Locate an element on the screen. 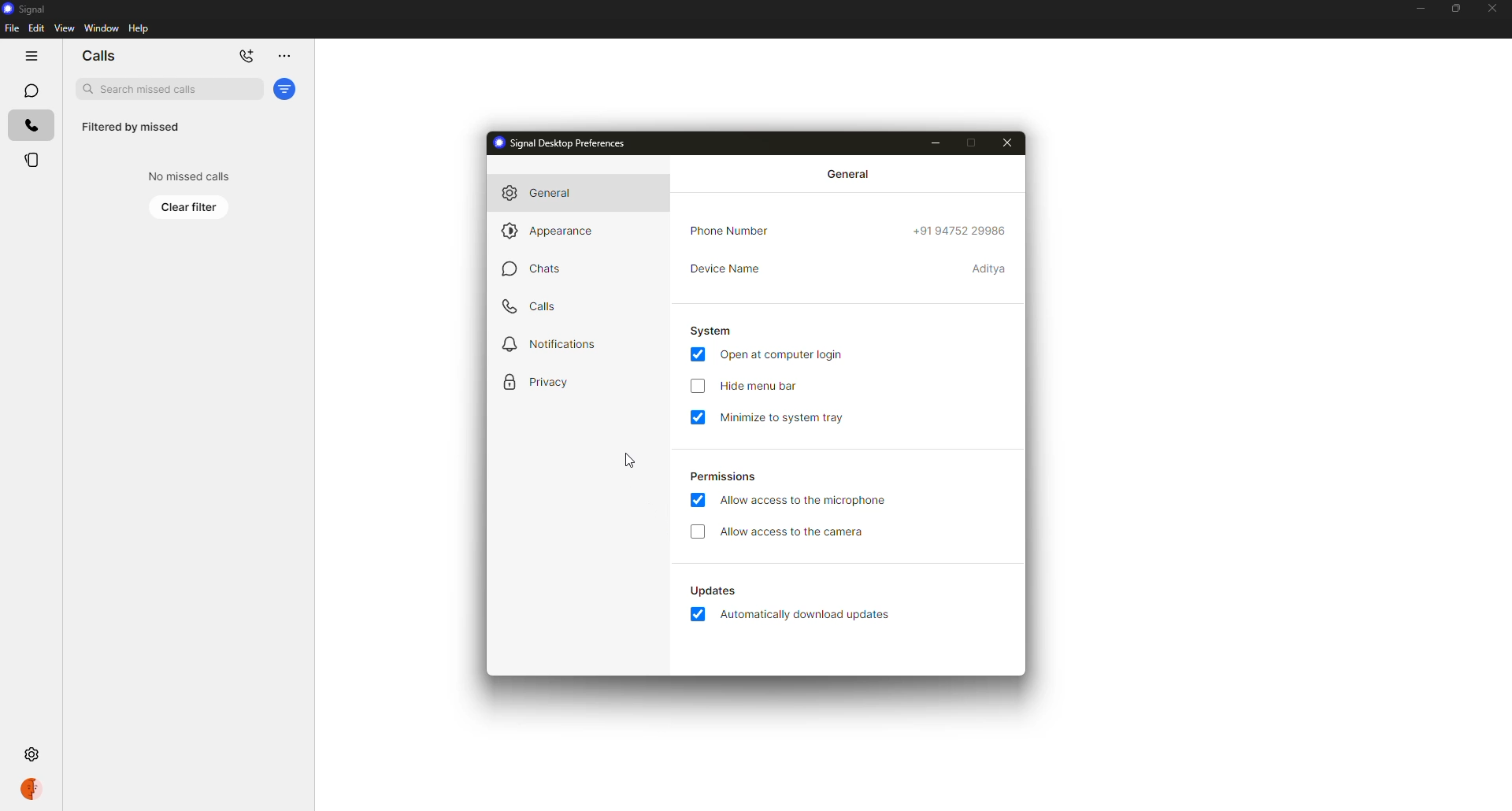  maximize is located at coordinates (1451, 8).